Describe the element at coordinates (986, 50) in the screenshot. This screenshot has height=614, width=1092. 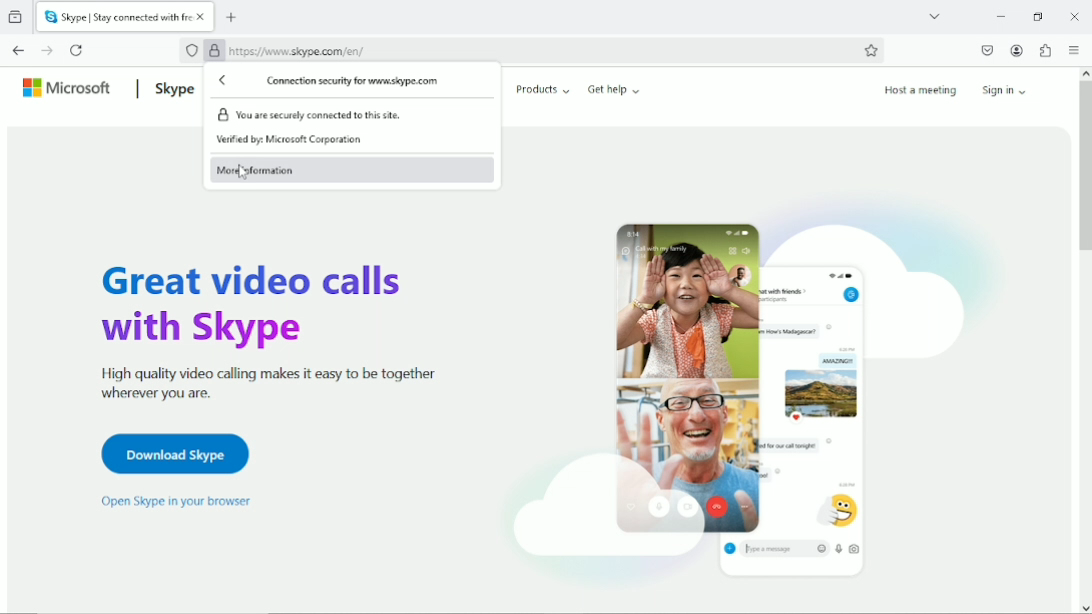
I see `Save to pocket` at that location.